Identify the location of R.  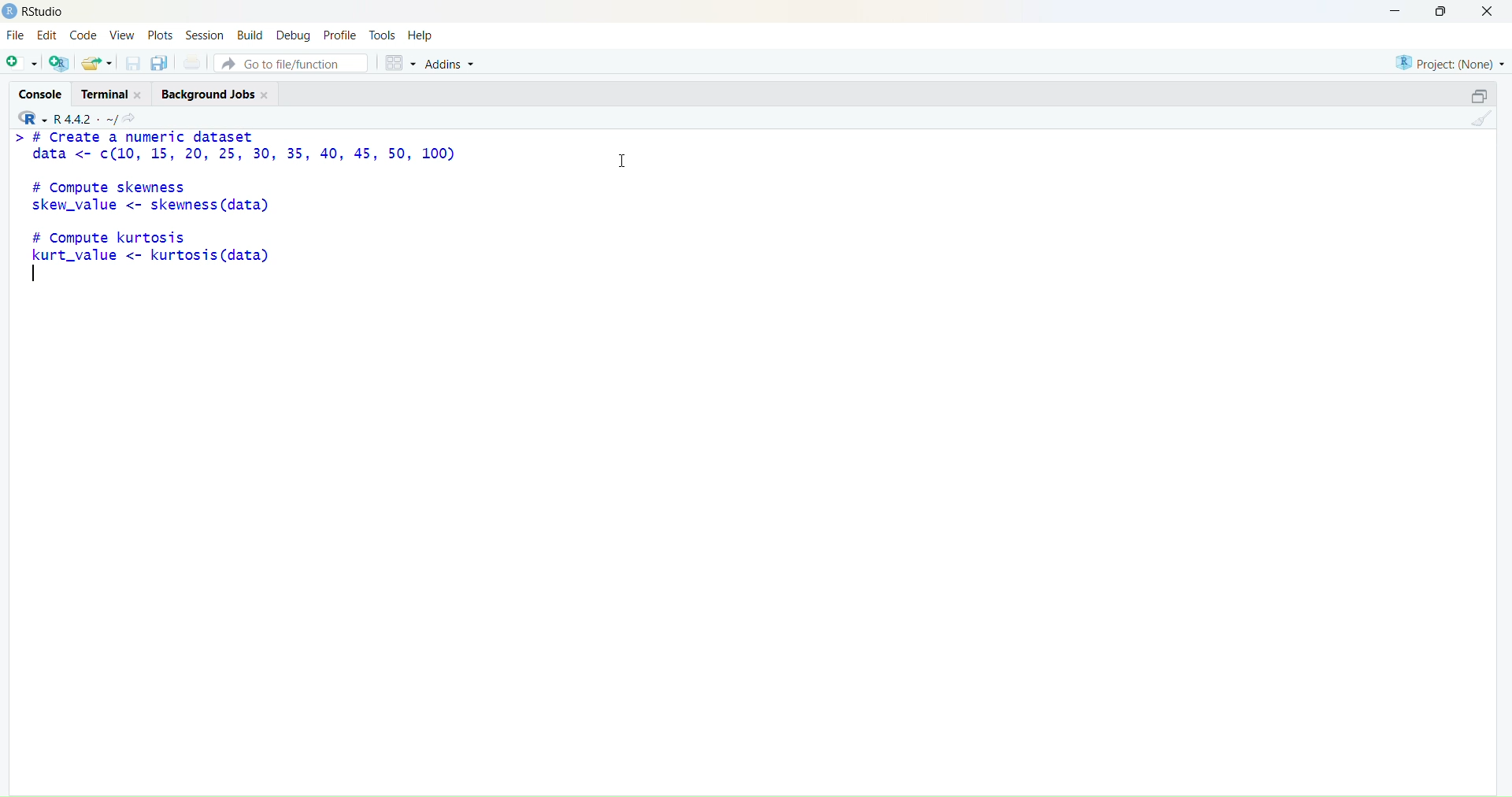
(28, 117).